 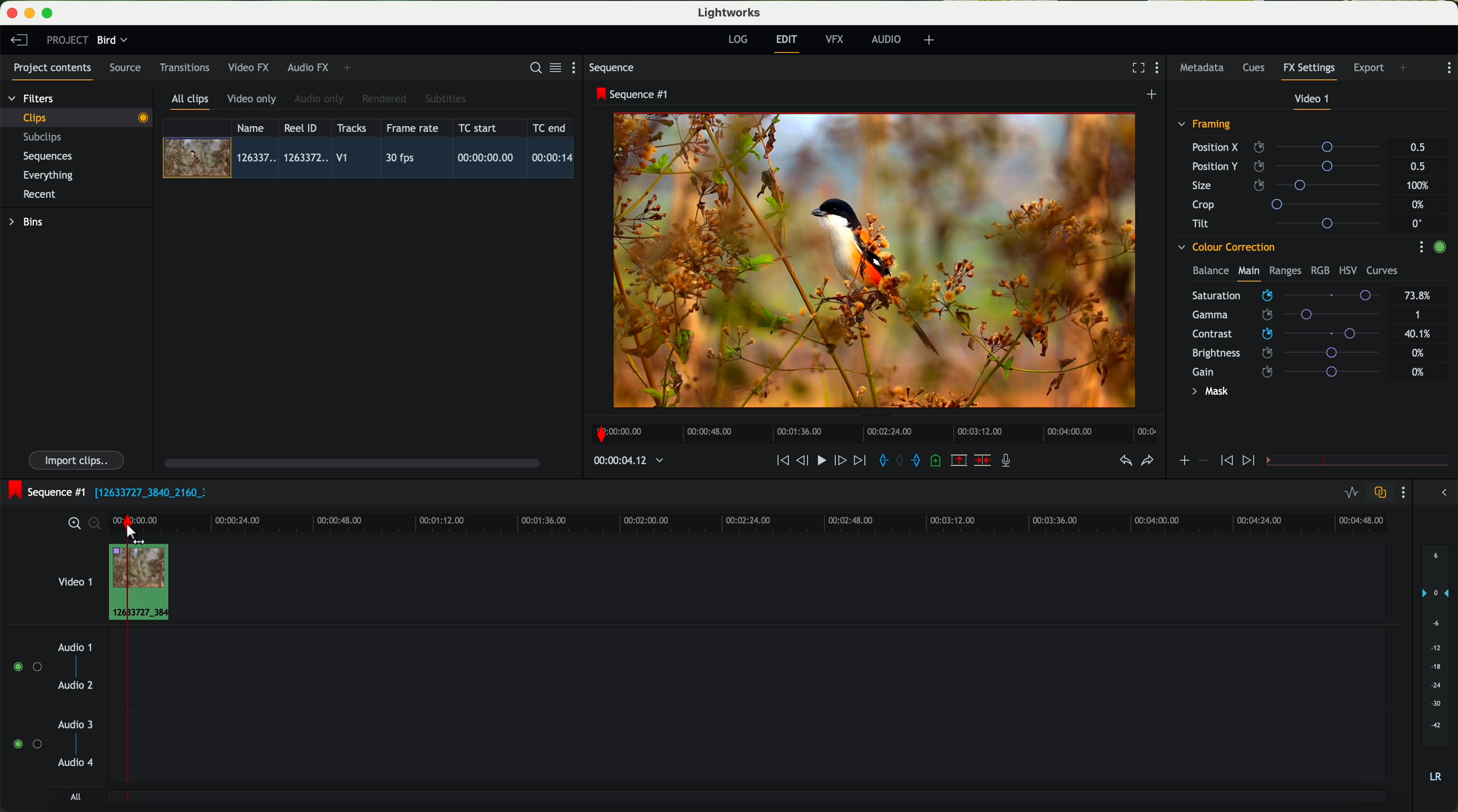 What do you see at coordinates (931, 40) in the screenshot?
I see `add, remove and create layouts` at bounding box center [931, 40].